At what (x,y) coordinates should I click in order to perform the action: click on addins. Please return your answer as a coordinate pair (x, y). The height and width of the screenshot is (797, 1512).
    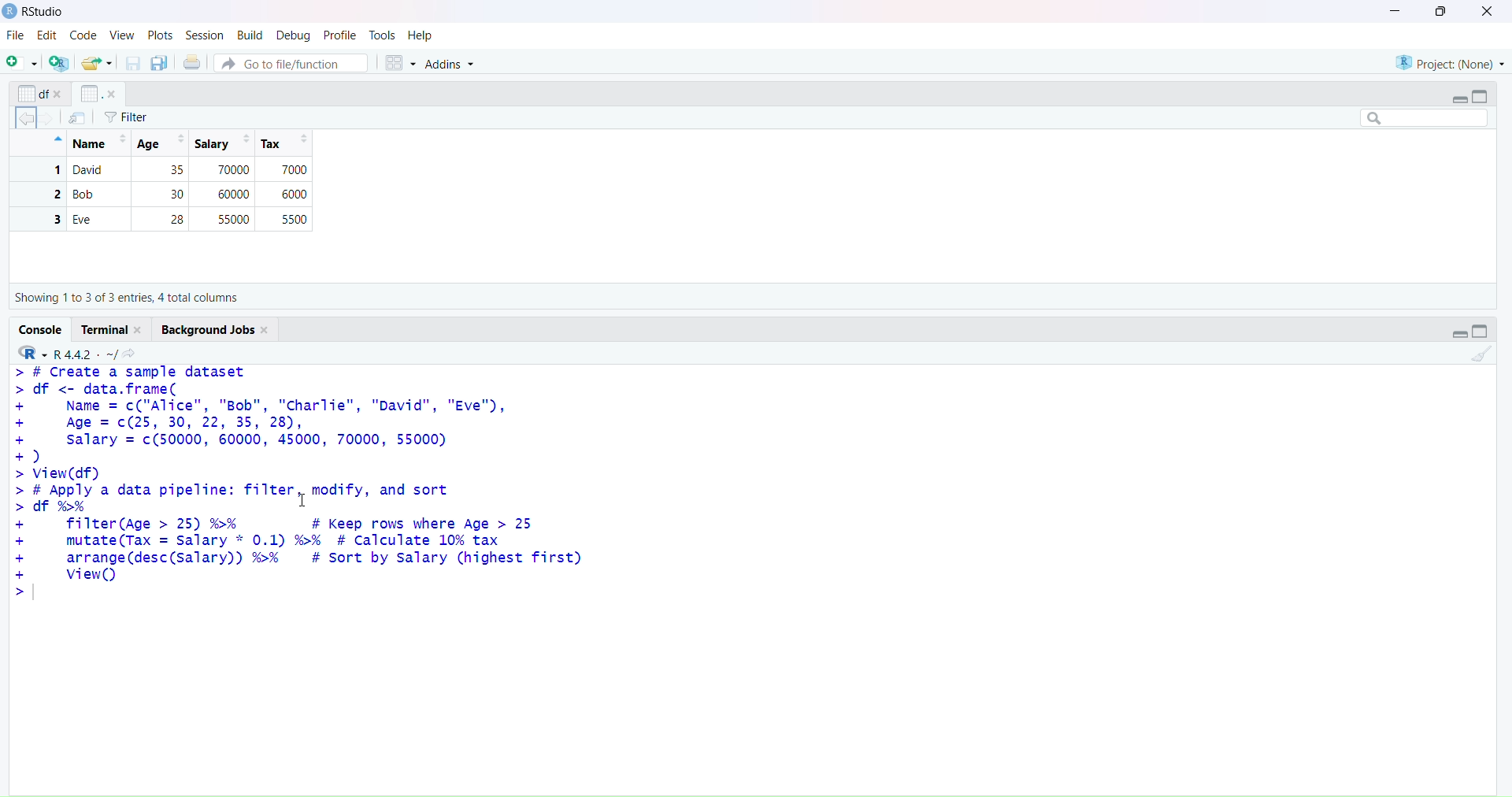
    Looking at the image, I should click on (454, 65).